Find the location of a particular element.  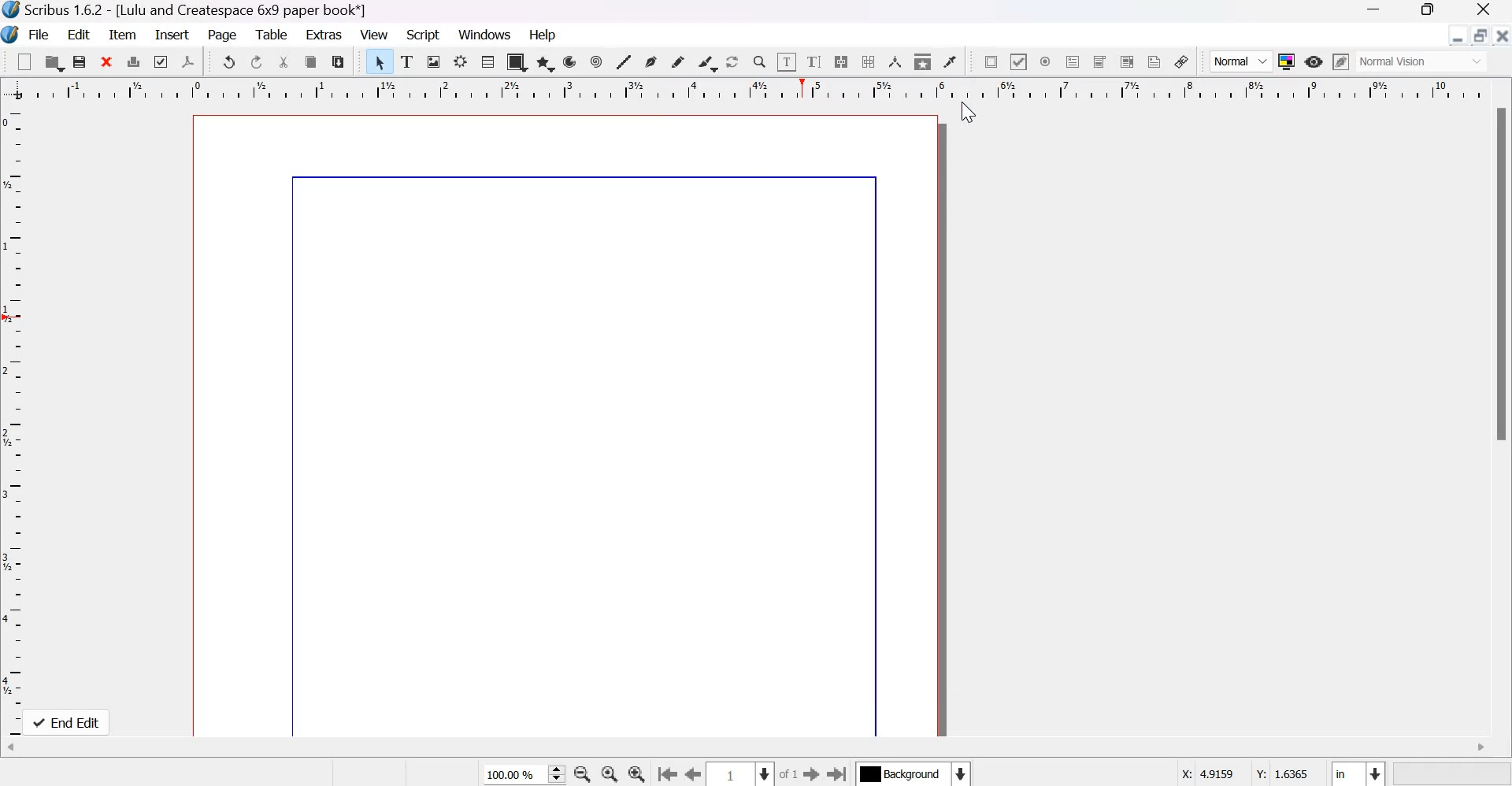

save as pdf is located at coordinates (190, 62).